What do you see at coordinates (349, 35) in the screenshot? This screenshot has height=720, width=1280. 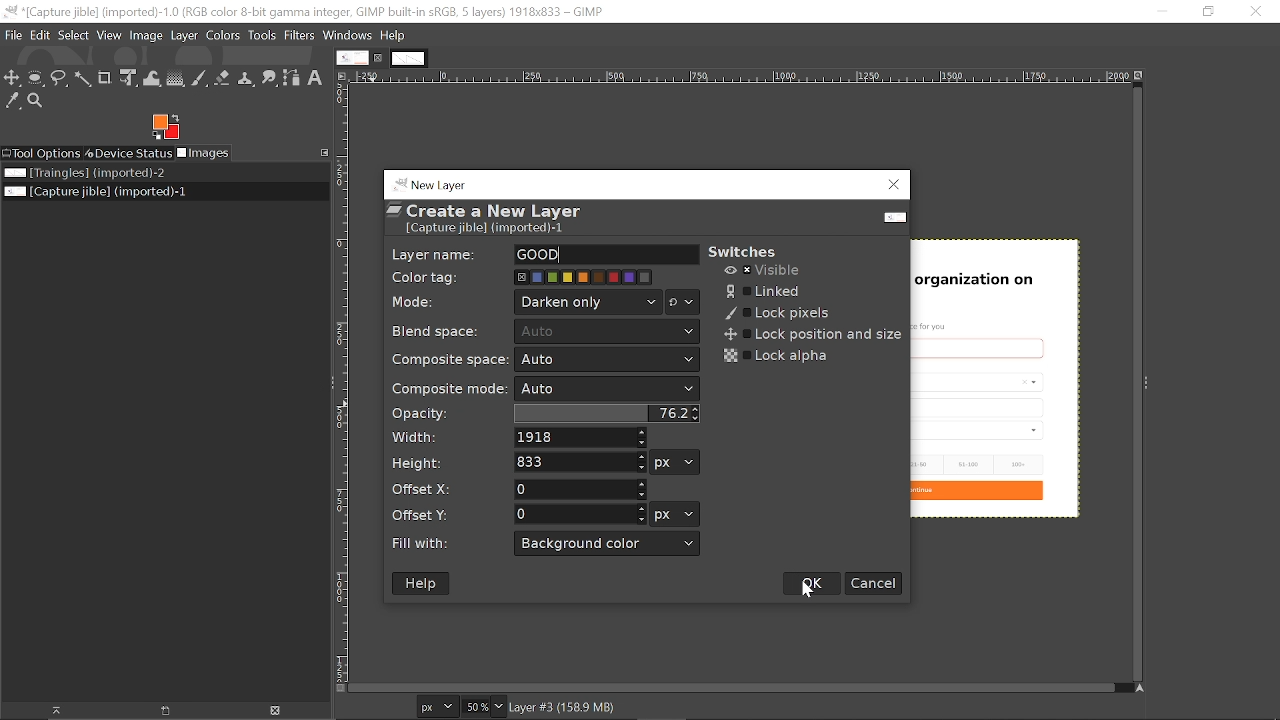 I see `Window` at bounding box center [349, 35].